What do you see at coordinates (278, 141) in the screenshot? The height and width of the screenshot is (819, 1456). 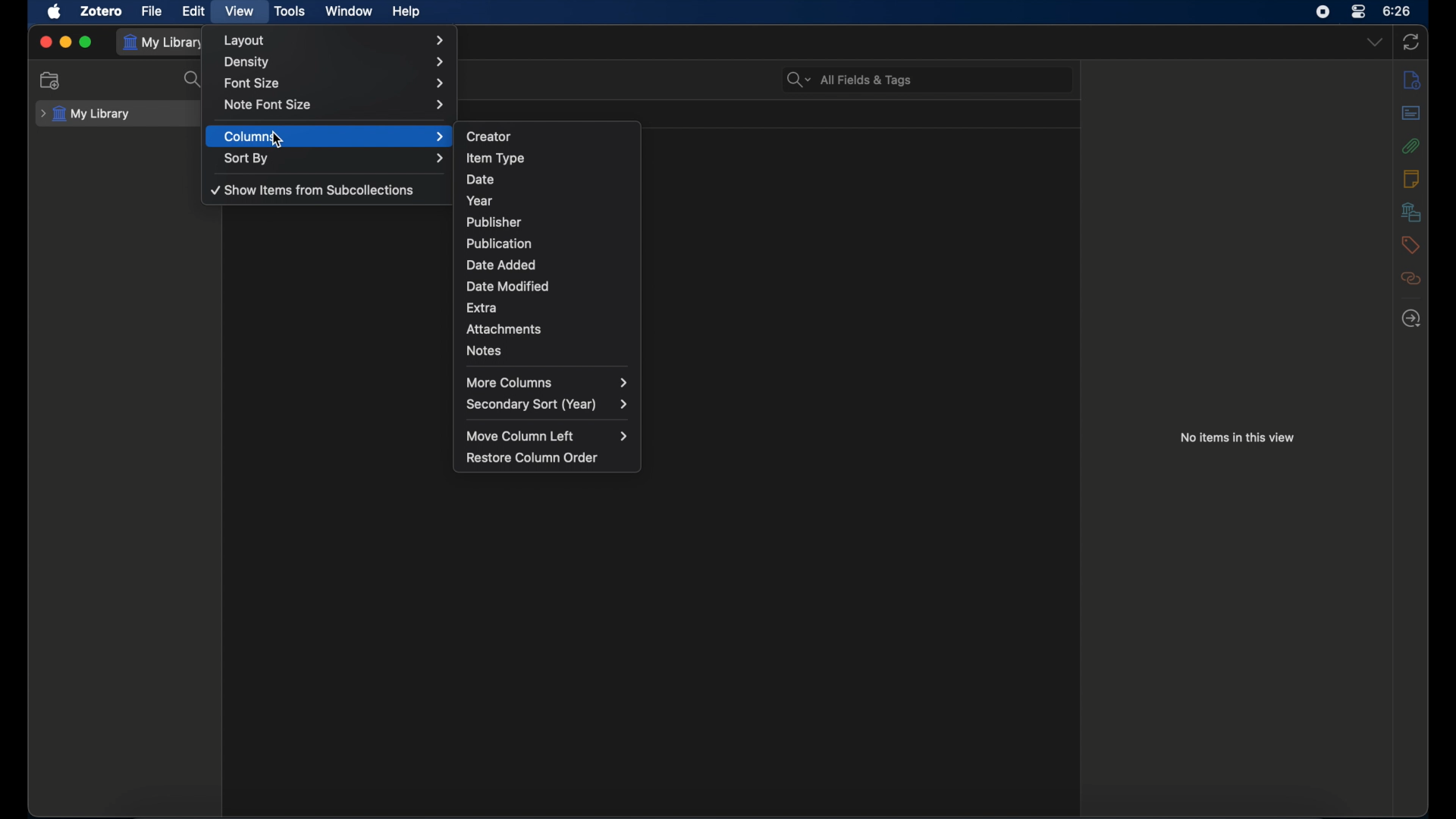 I see `cursor` at bounding box center [278, 141].